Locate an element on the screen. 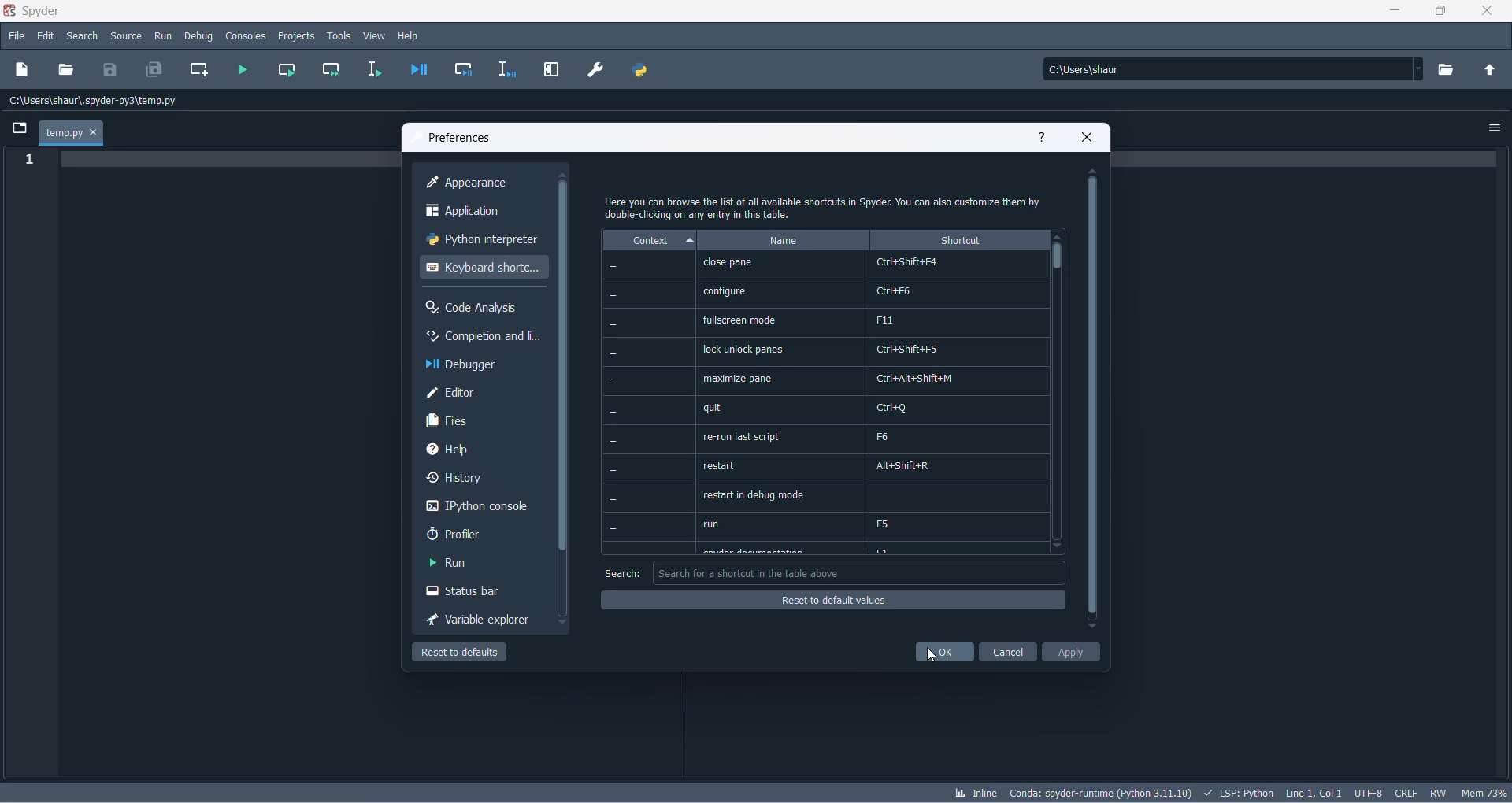 Image resolution: width=1512 pixels, height=803 pixels. scrollbar is located at coordinates (561, 371).